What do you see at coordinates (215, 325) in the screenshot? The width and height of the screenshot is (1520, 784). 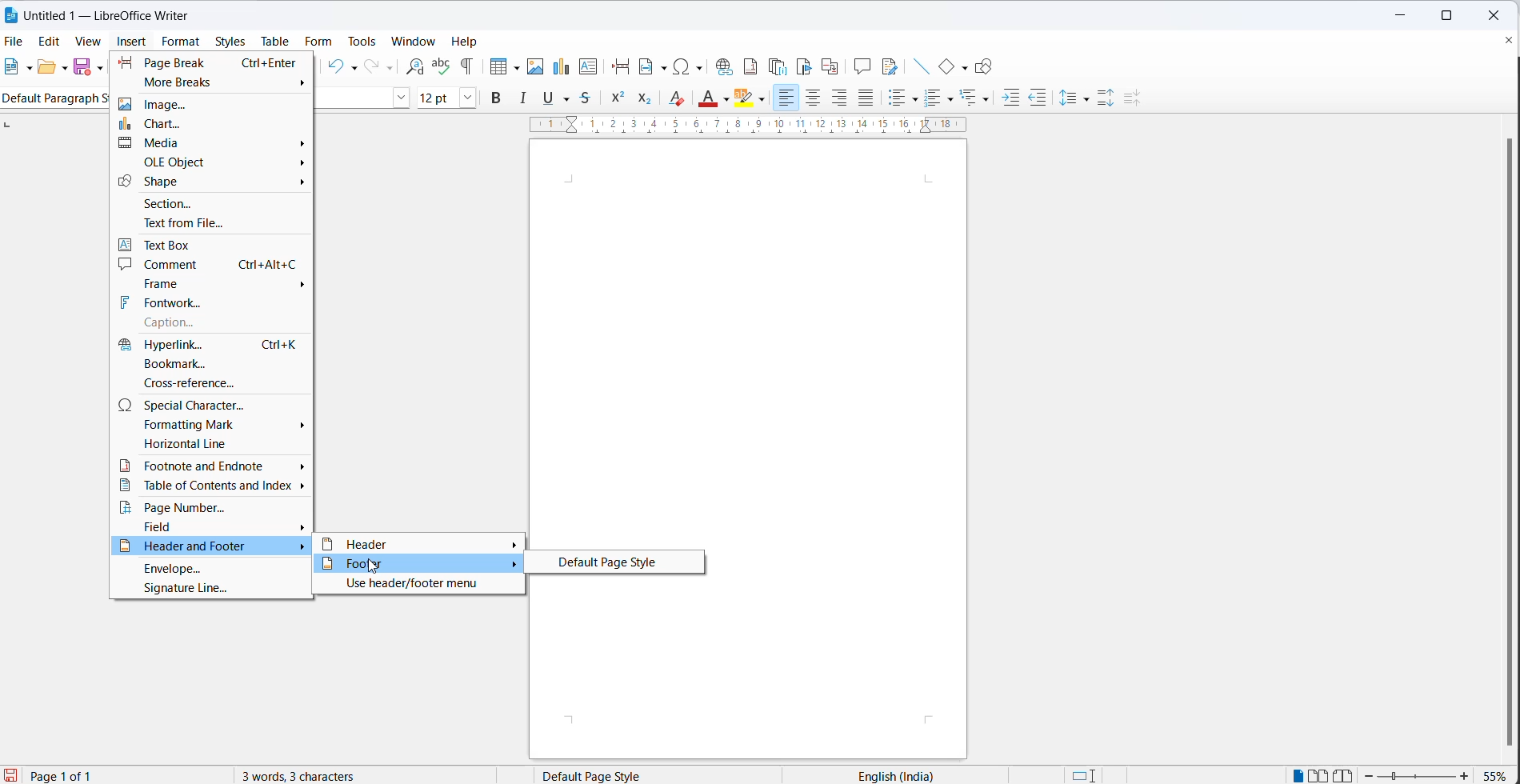 I see `caption` at bounding box center [215, 325].